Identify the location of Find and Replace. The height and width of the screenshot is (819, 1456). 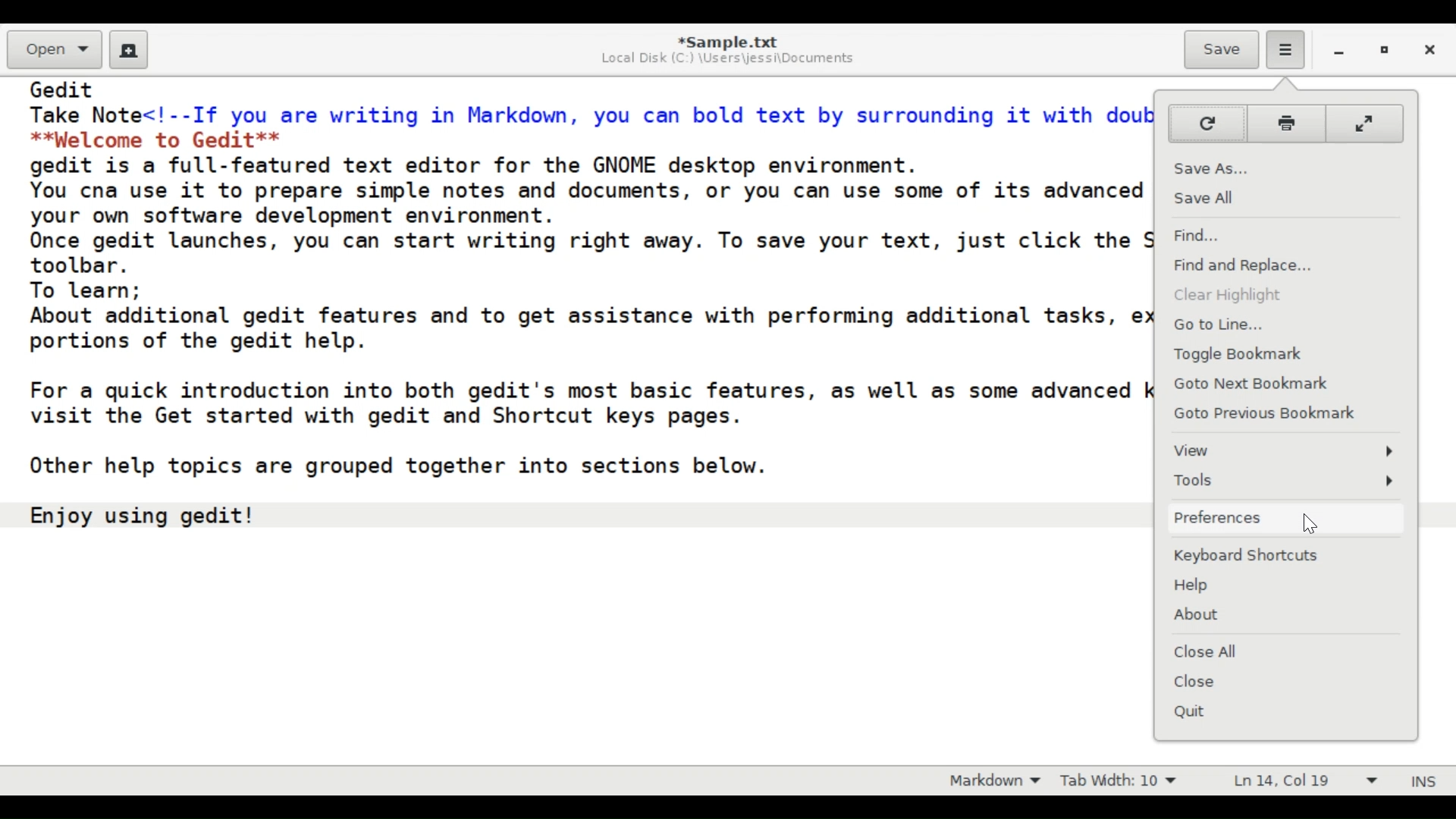
(1282, 267).